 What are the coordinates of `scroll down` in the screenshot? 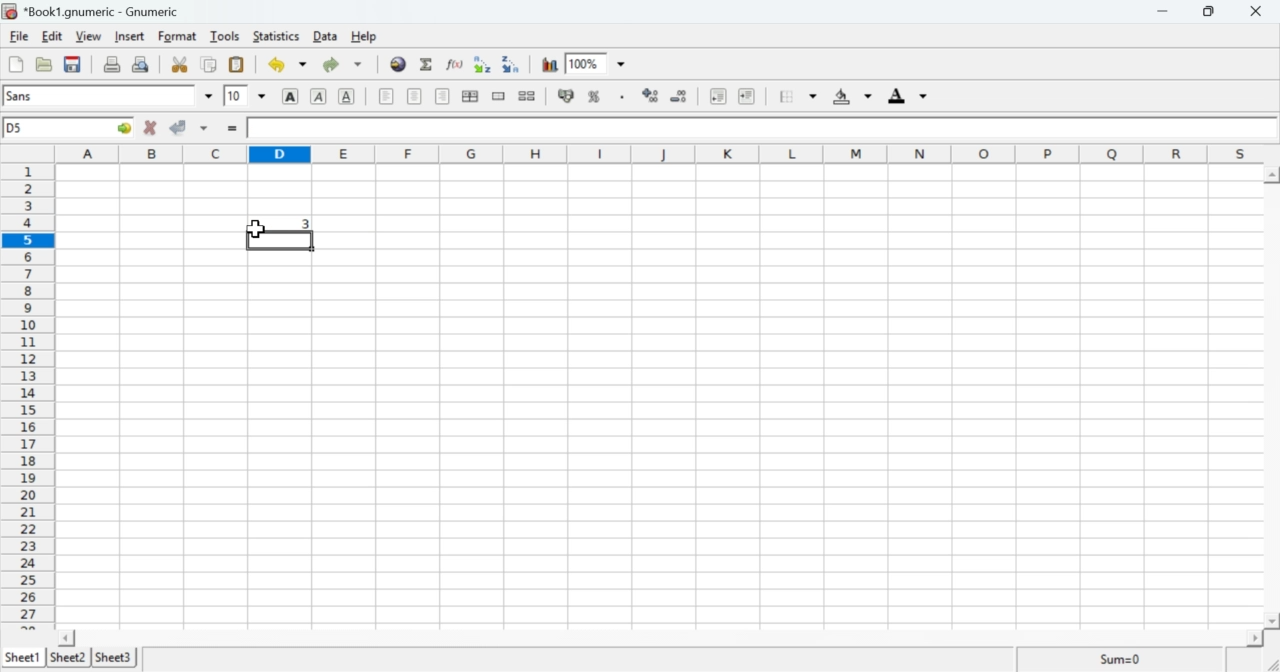 It's located at (1272, 621).